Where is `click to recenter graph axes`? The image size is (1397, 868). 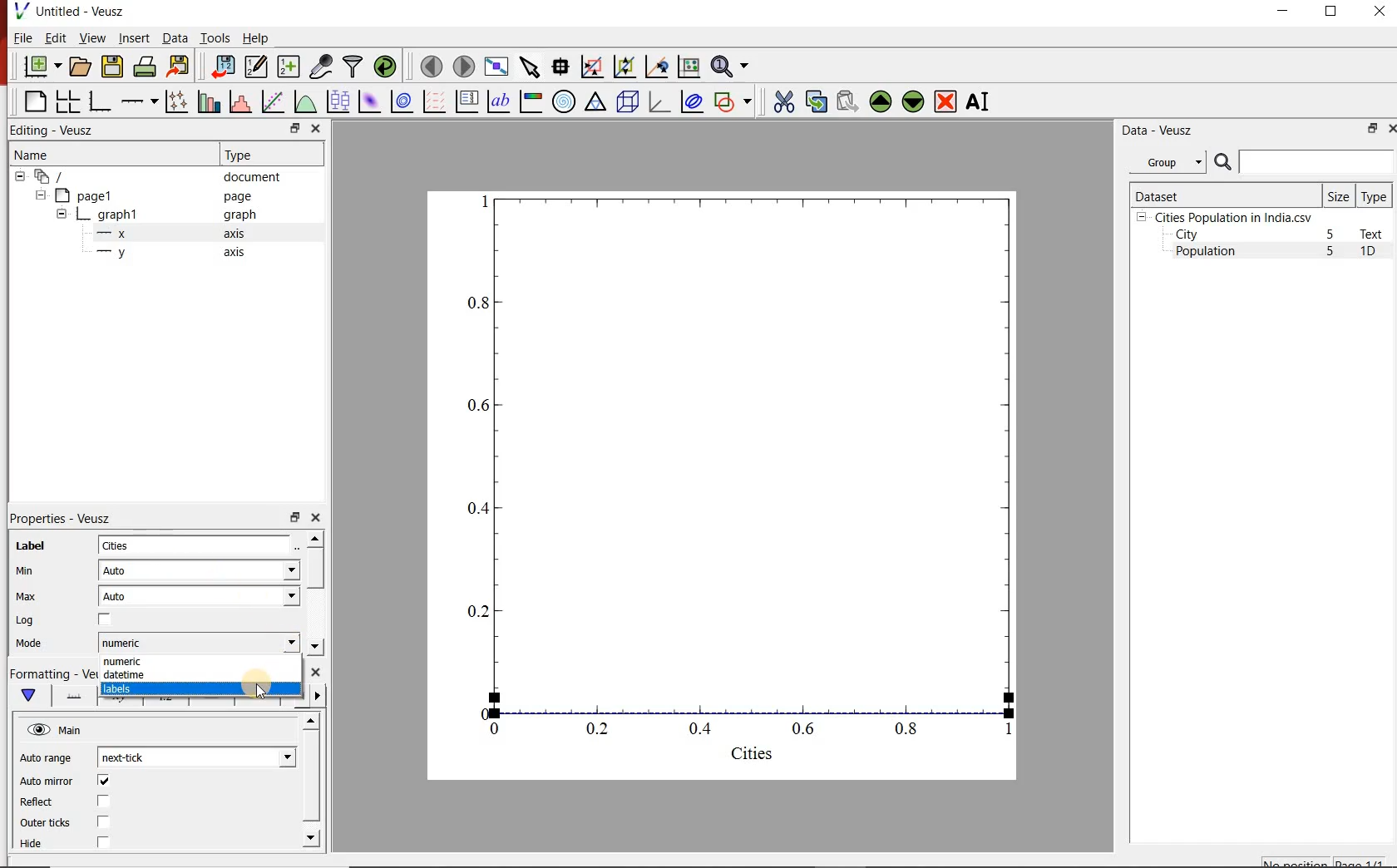
click to recenter graph axes is located at coordinates (655, 67).